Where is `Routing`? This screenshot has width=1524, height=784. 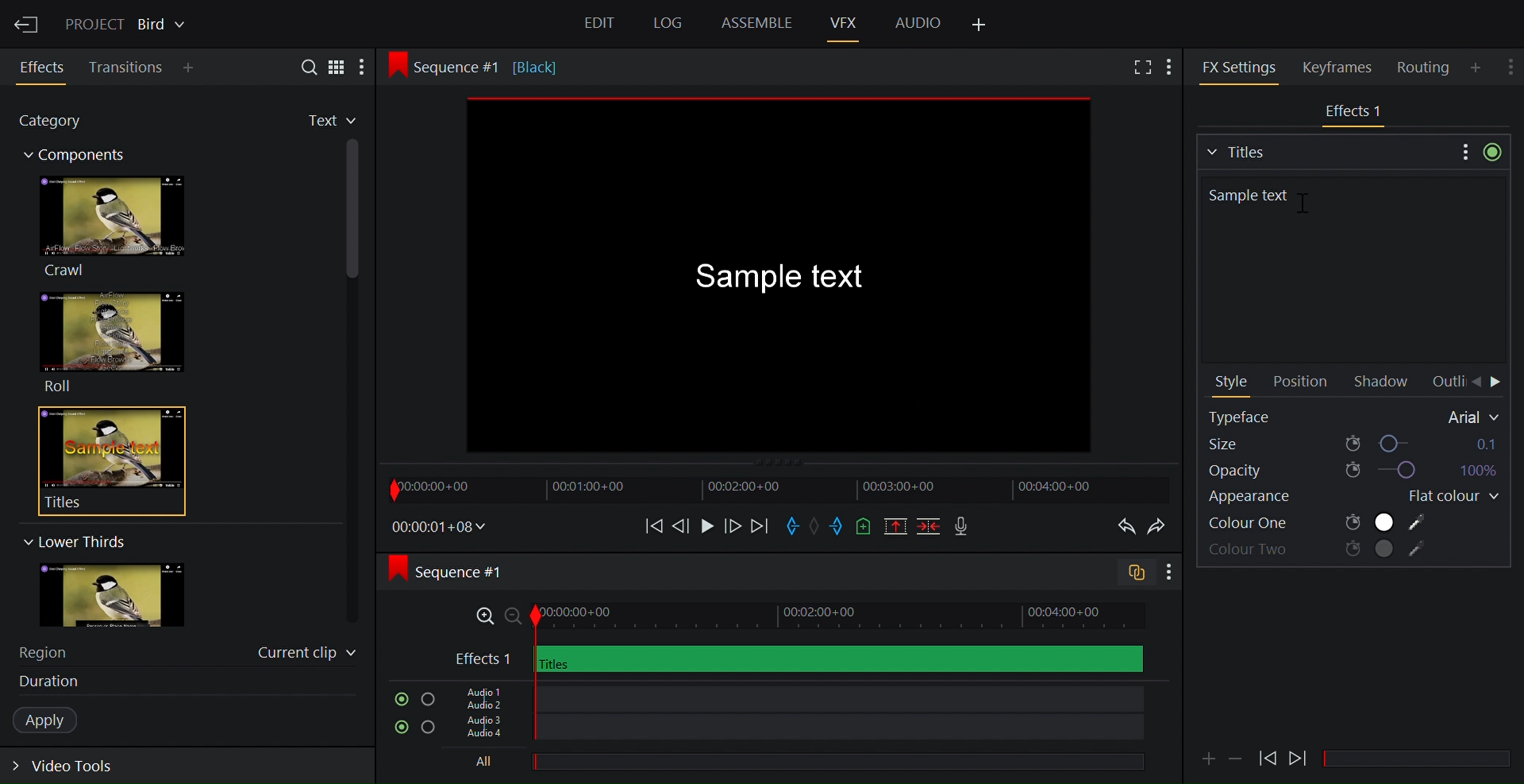
Routing is located at coordinates (1426, 67).